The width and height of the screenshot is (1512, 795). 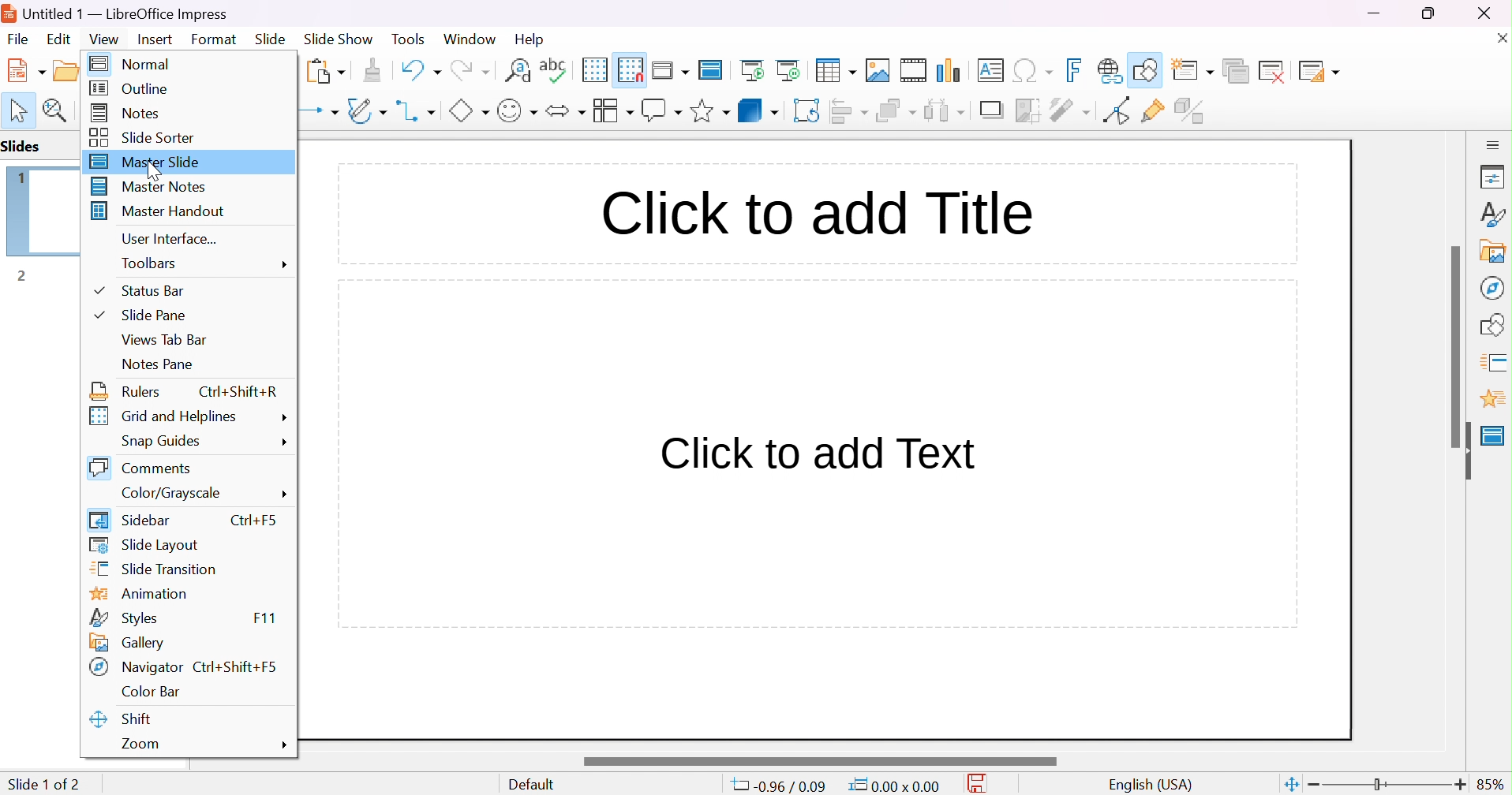 What do you see at coordinates (951, 70) in the screenshot?
I see `insert chart` at bounding box center [951, 70].